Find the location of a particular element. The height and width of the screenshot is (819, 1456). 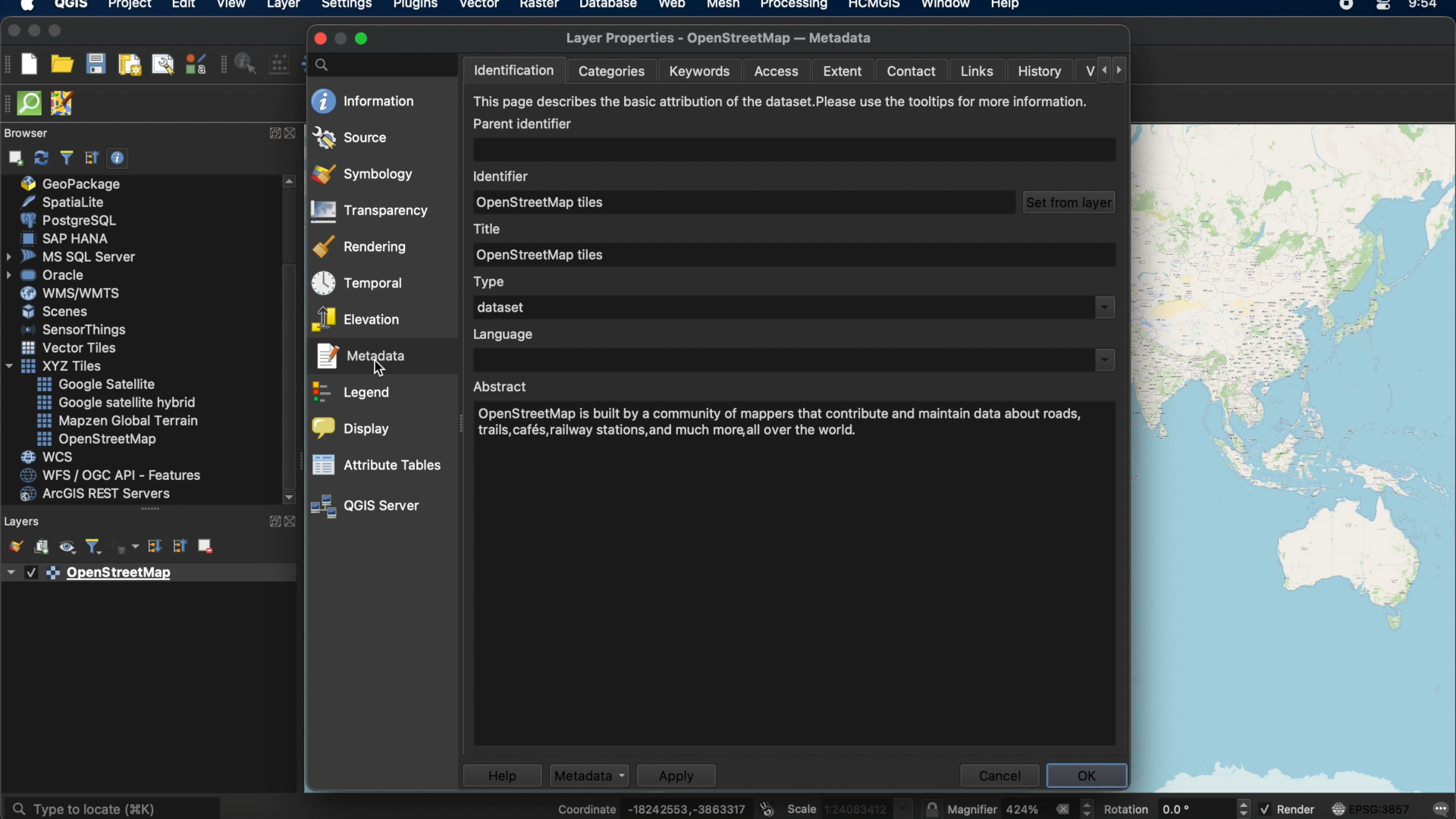

dropdown is located at coordinates (1103, 360).